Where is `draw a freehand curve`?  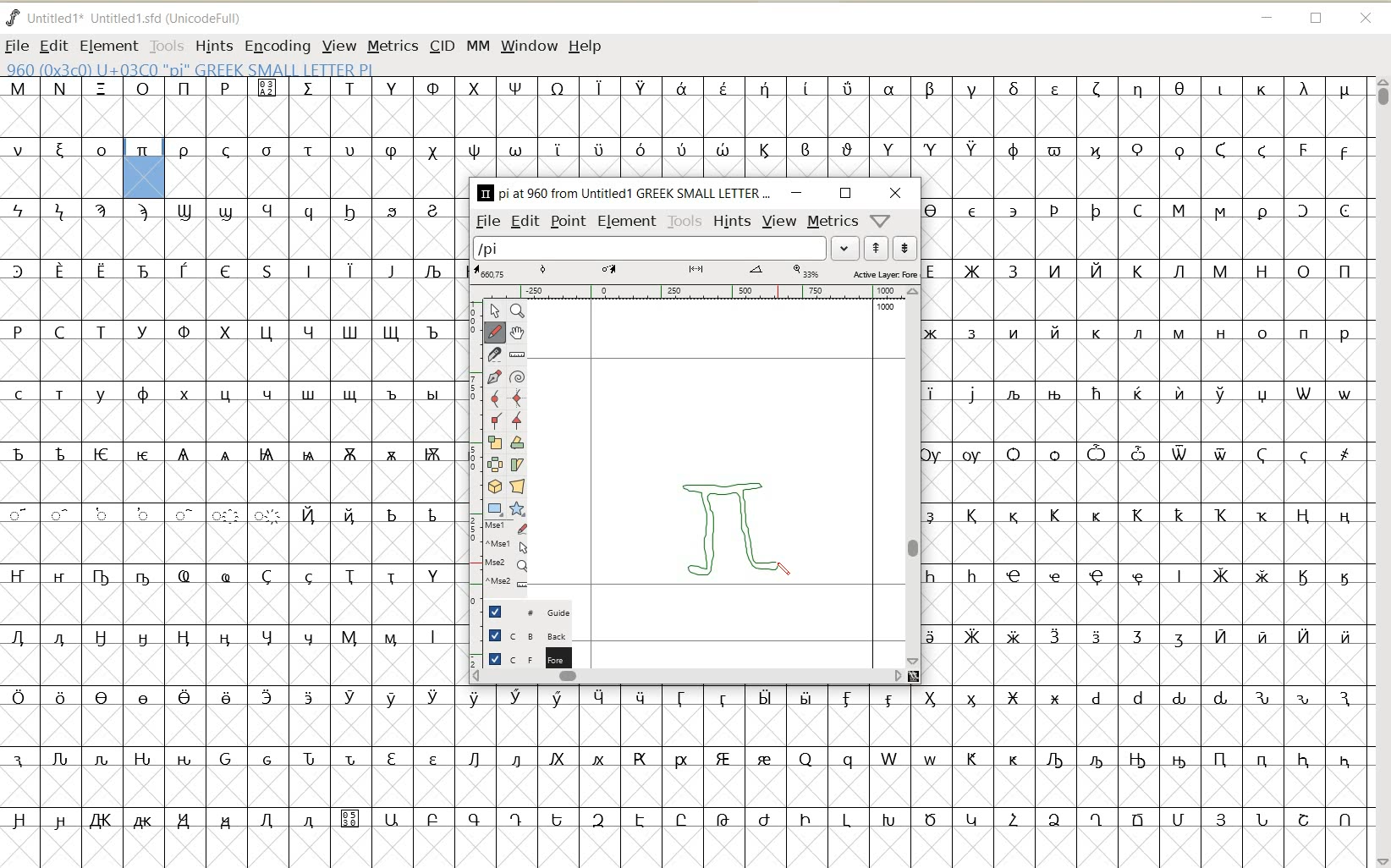
draw a freehand curve is located at coordinates (492, 331).